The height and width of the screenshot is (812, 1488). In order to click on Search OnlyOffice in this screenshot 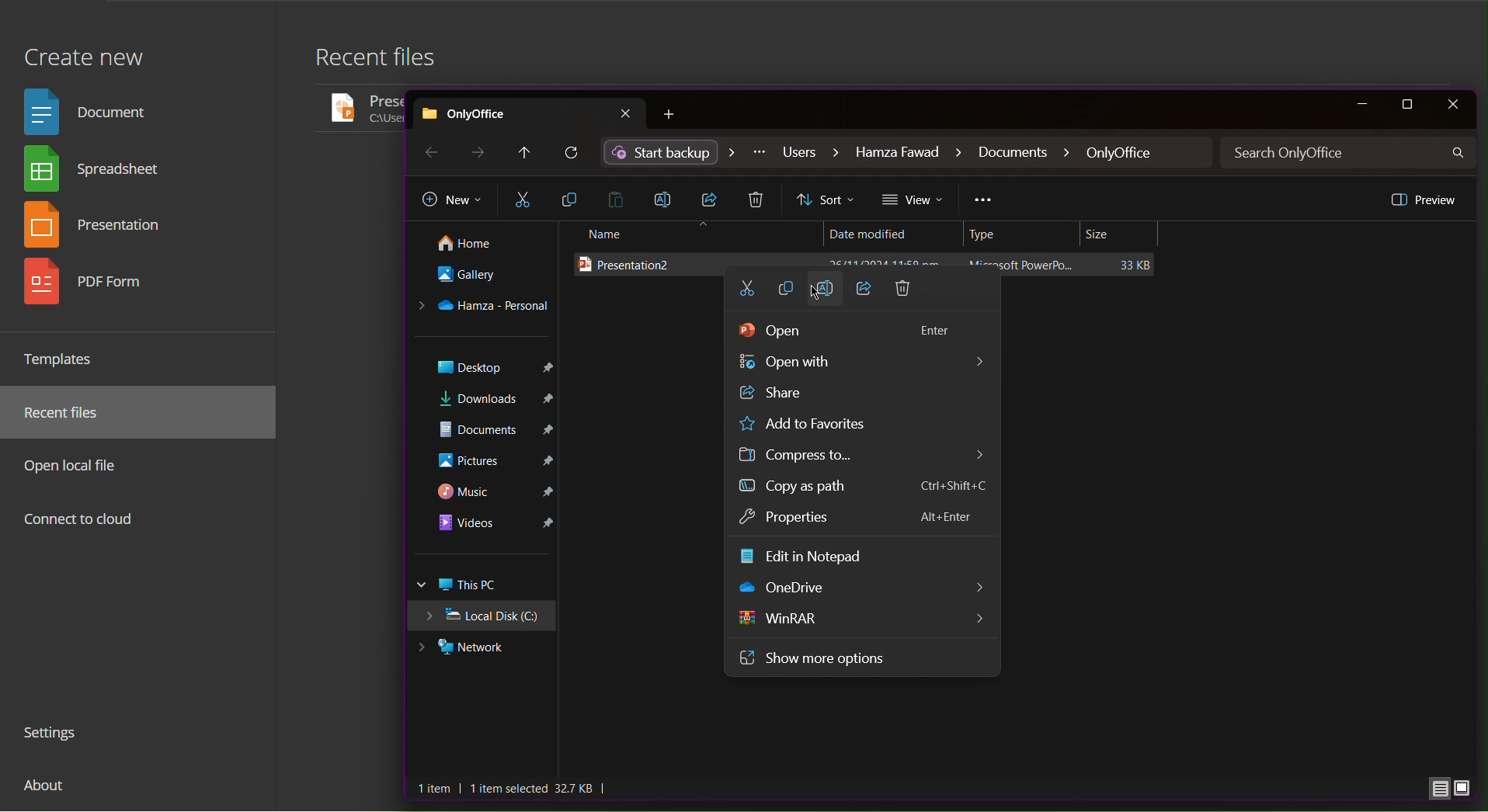, I will do `click(1350, 153)`.